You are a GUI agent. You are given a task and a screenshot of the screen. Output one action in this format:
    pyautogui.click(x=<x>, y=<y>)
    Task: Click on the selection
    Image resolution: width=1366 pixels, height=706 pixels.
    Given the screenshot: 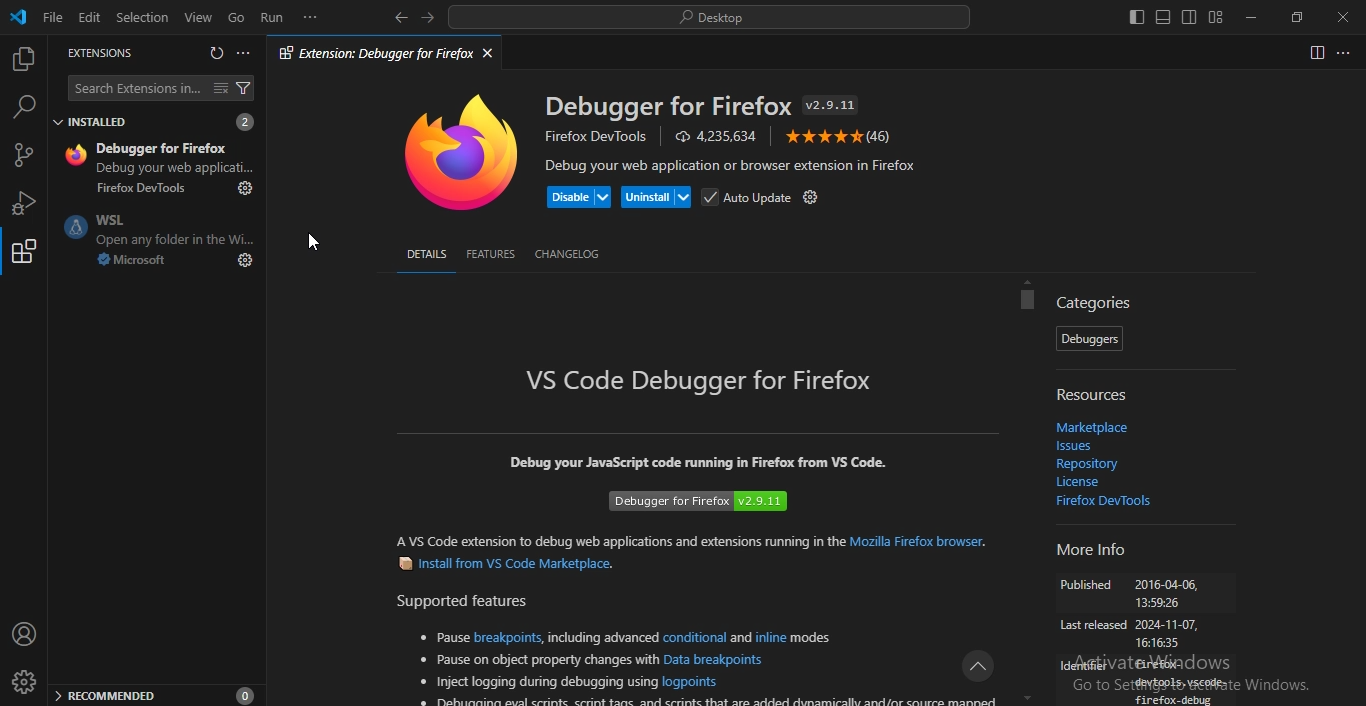 What is the action you would take?
    pyautogui.click(x=142, y=17)
    